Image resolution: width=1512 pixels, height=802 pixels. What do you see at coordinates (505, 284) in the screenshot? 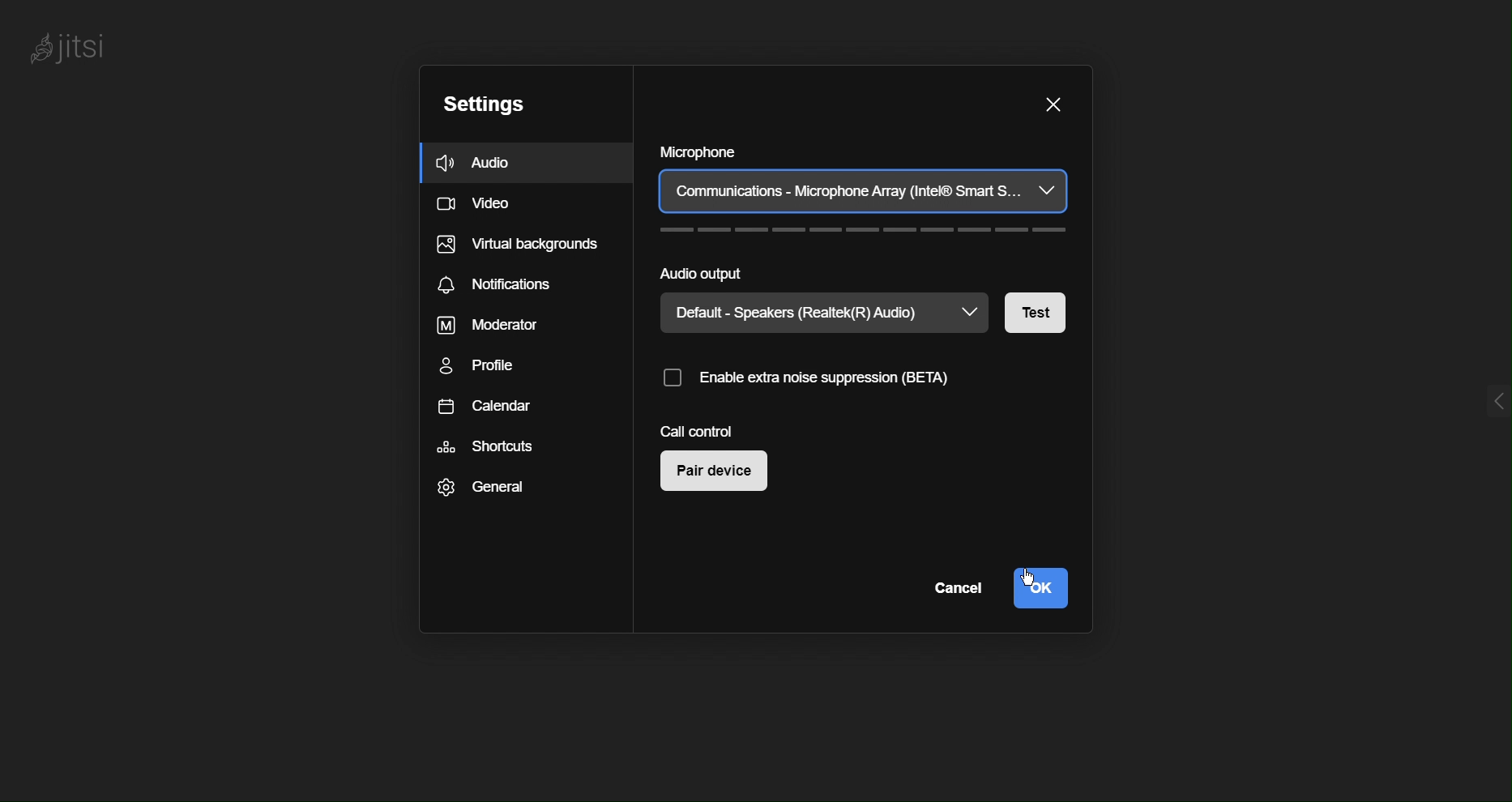
I see `Notifications` at bounding box center [505, 284].